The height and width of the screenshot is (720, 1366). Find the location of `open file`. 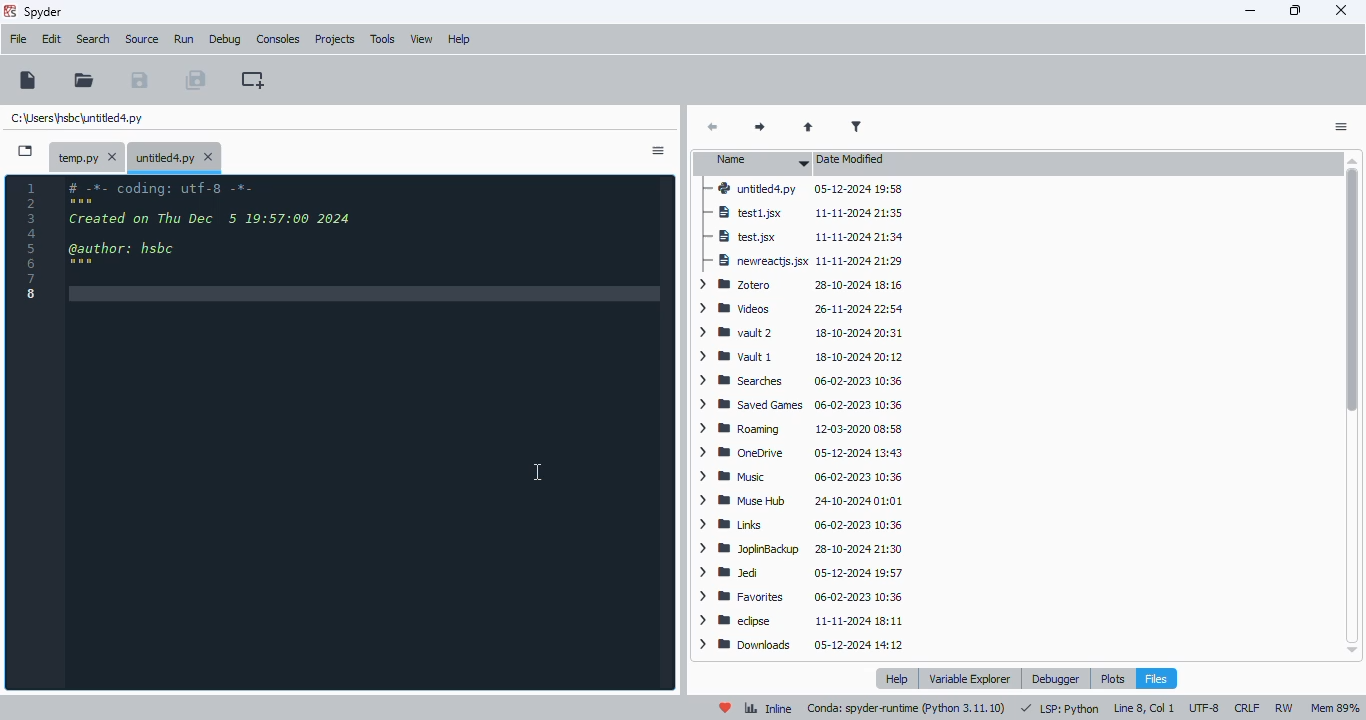

open file is located at coordinates (85, 79).